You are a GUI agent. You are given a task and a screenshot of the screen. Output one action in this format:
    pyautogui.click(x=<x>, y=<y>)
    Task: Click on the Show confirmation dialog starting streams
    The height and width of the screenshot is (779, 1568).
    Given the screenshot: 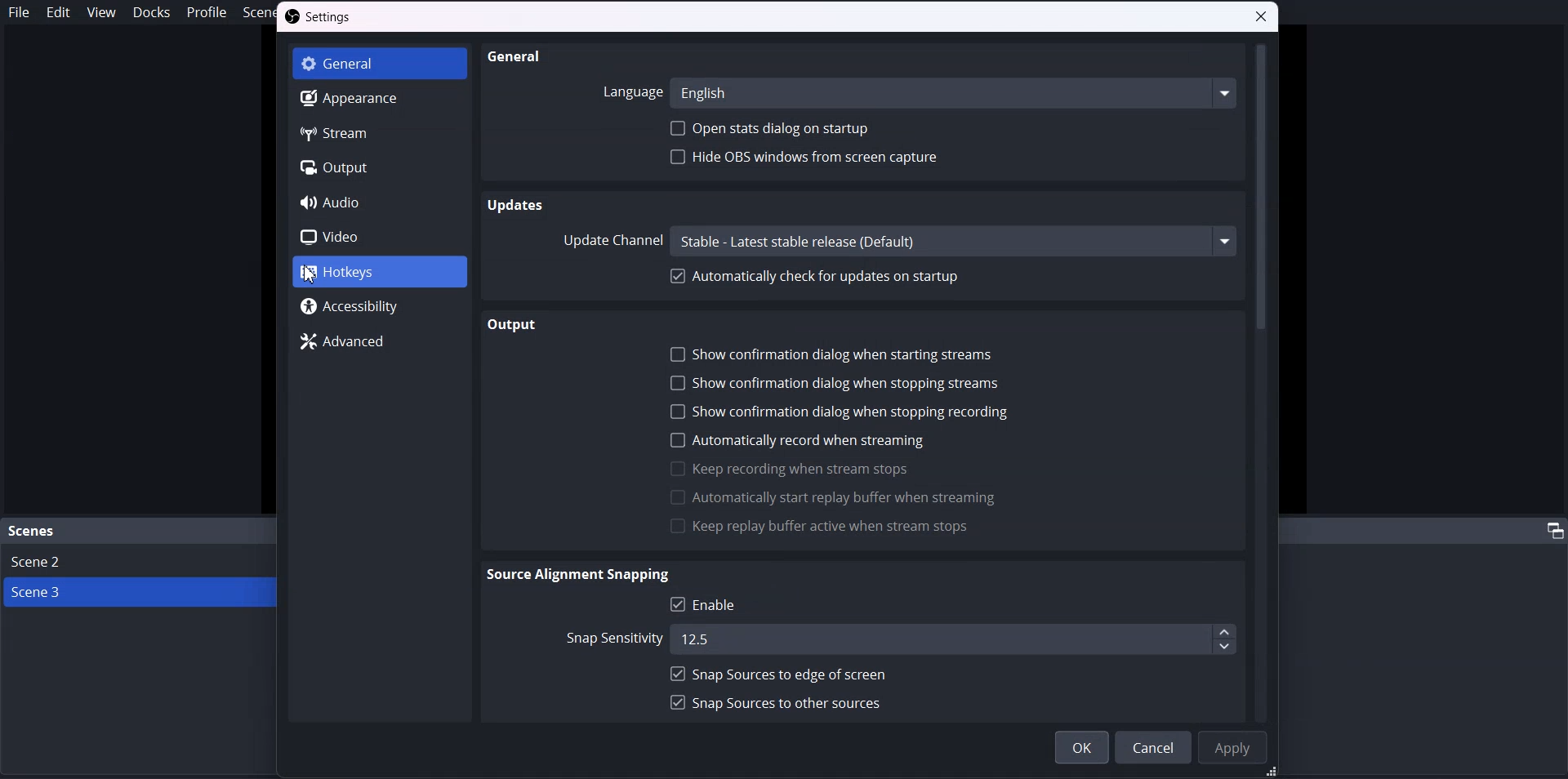 What is the action you would take?
    pyautogui.click(x=832, y=354)
    